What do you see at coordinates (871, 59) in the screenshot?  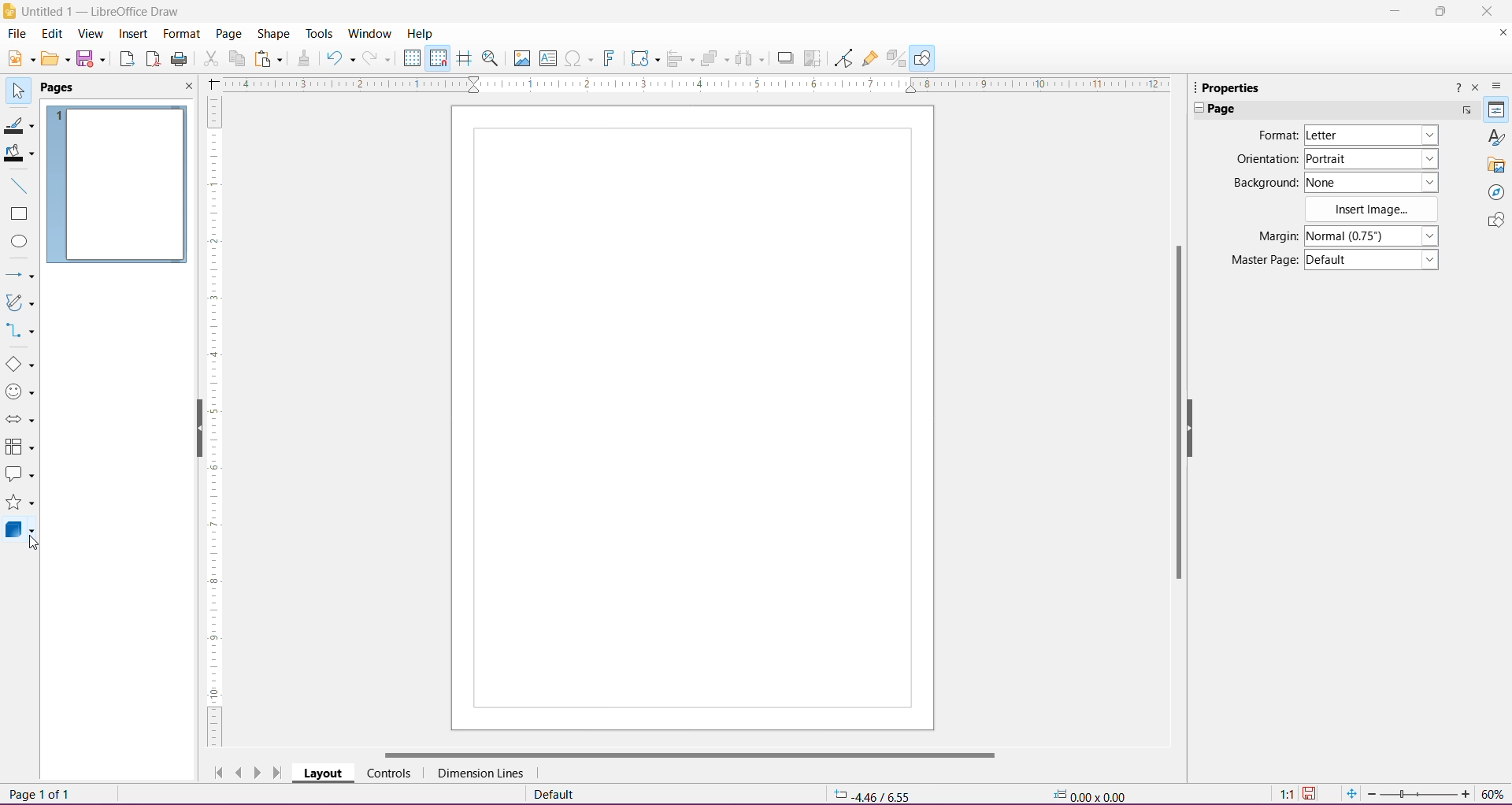 I see `Show Gluepoint Functions` at bounding box center [871, 59].